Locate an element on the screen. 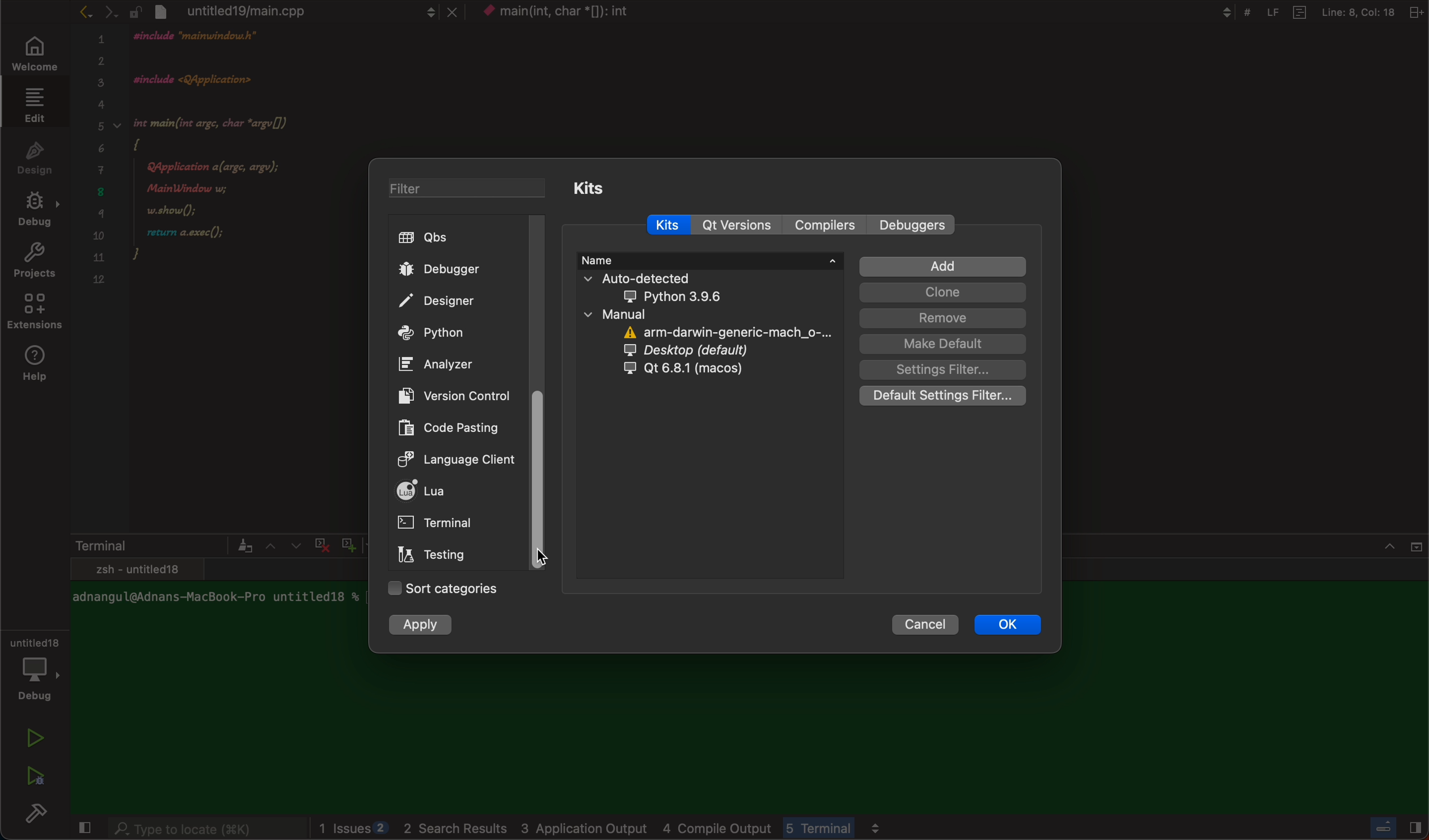  debugger is located at coordinates (459, 269).